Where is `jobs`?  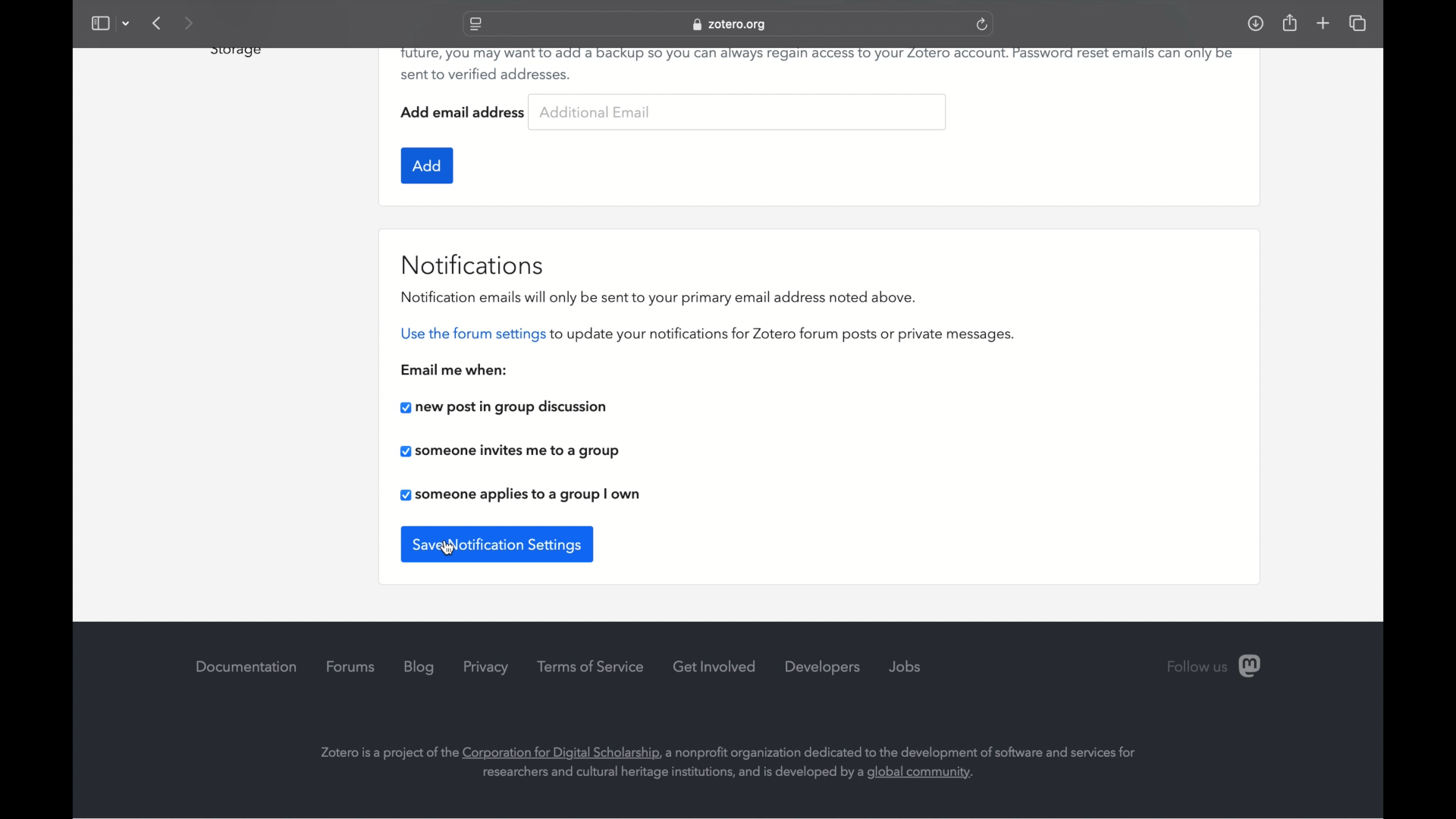 jobs is located at coordinates (905, 665).